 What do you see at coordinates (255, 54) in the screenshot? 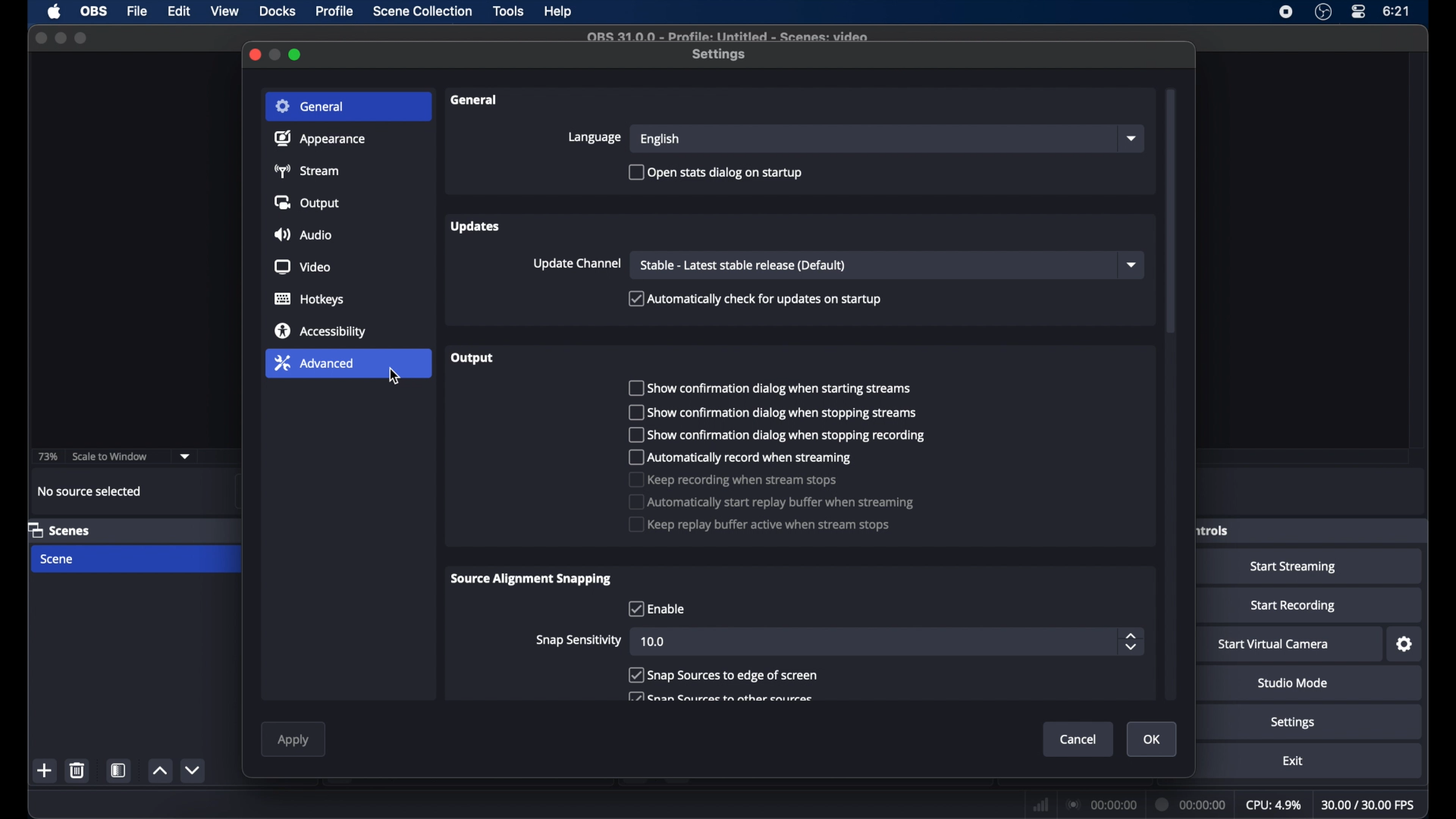
I see `close` at bounding box center [255, 54].